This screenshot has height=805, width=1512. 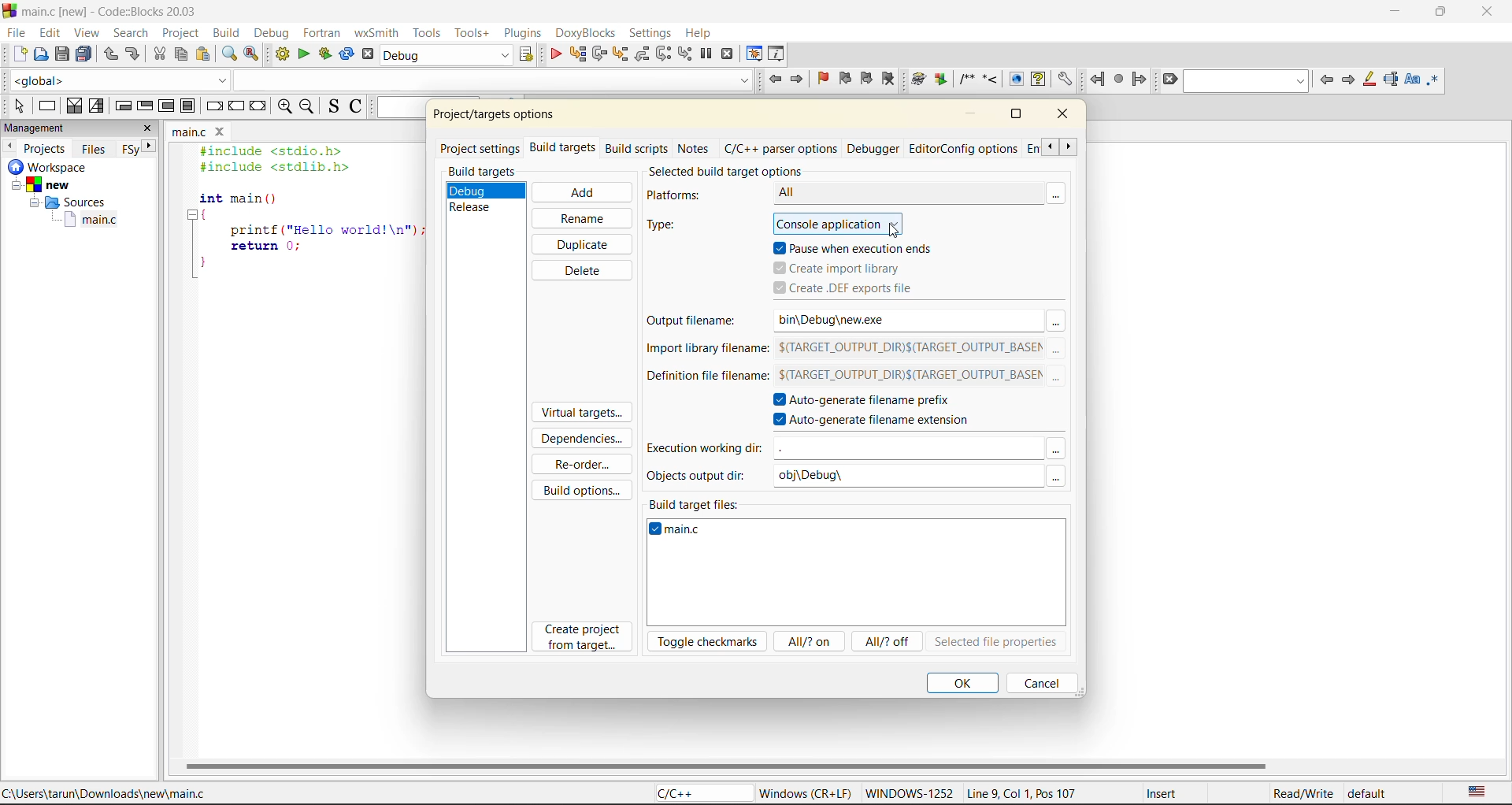 I want to click on run, so click(x=305, y=53).